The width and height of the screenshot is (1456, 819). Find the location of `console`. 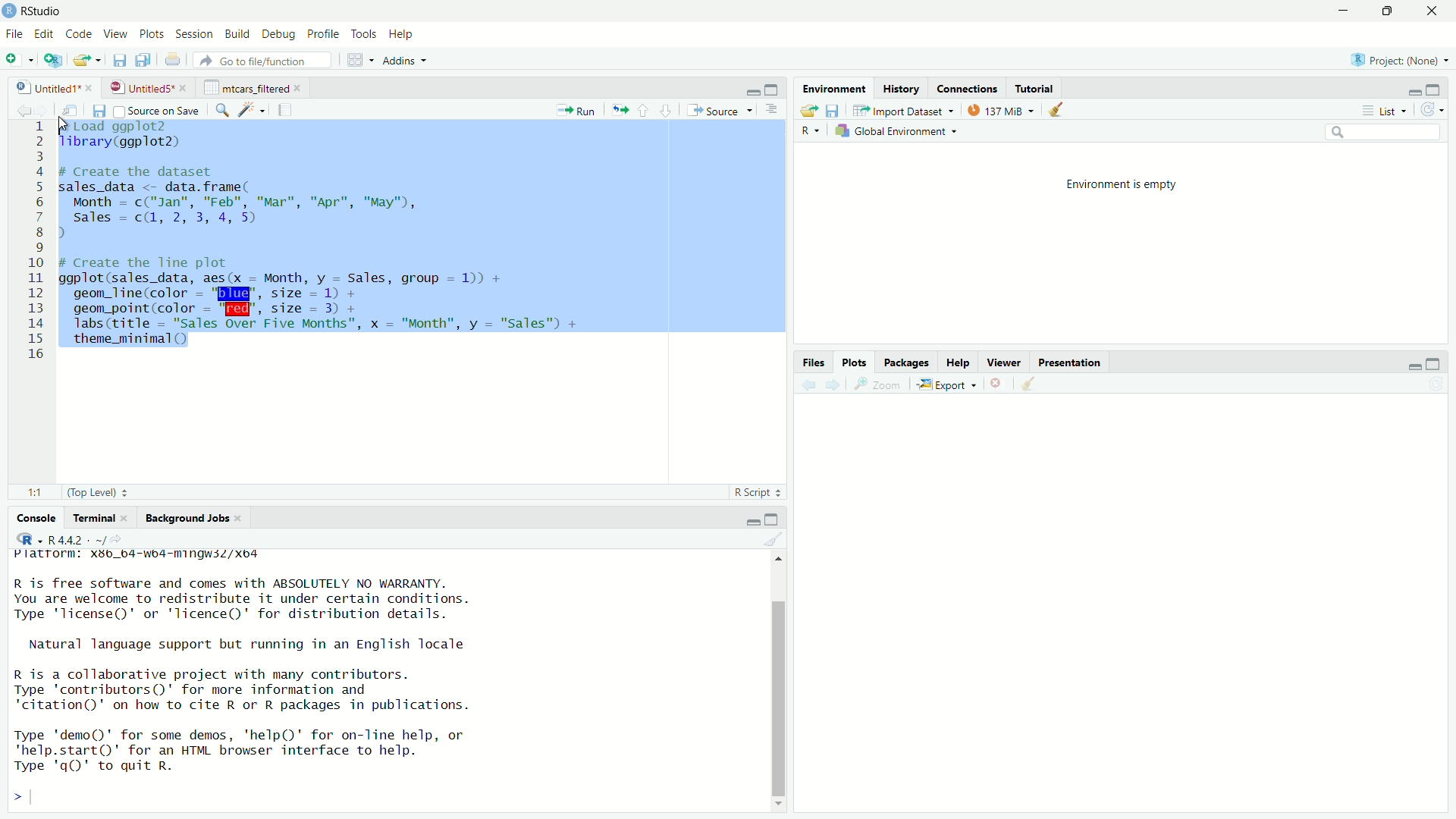

console is located at coordinates (30, 519).